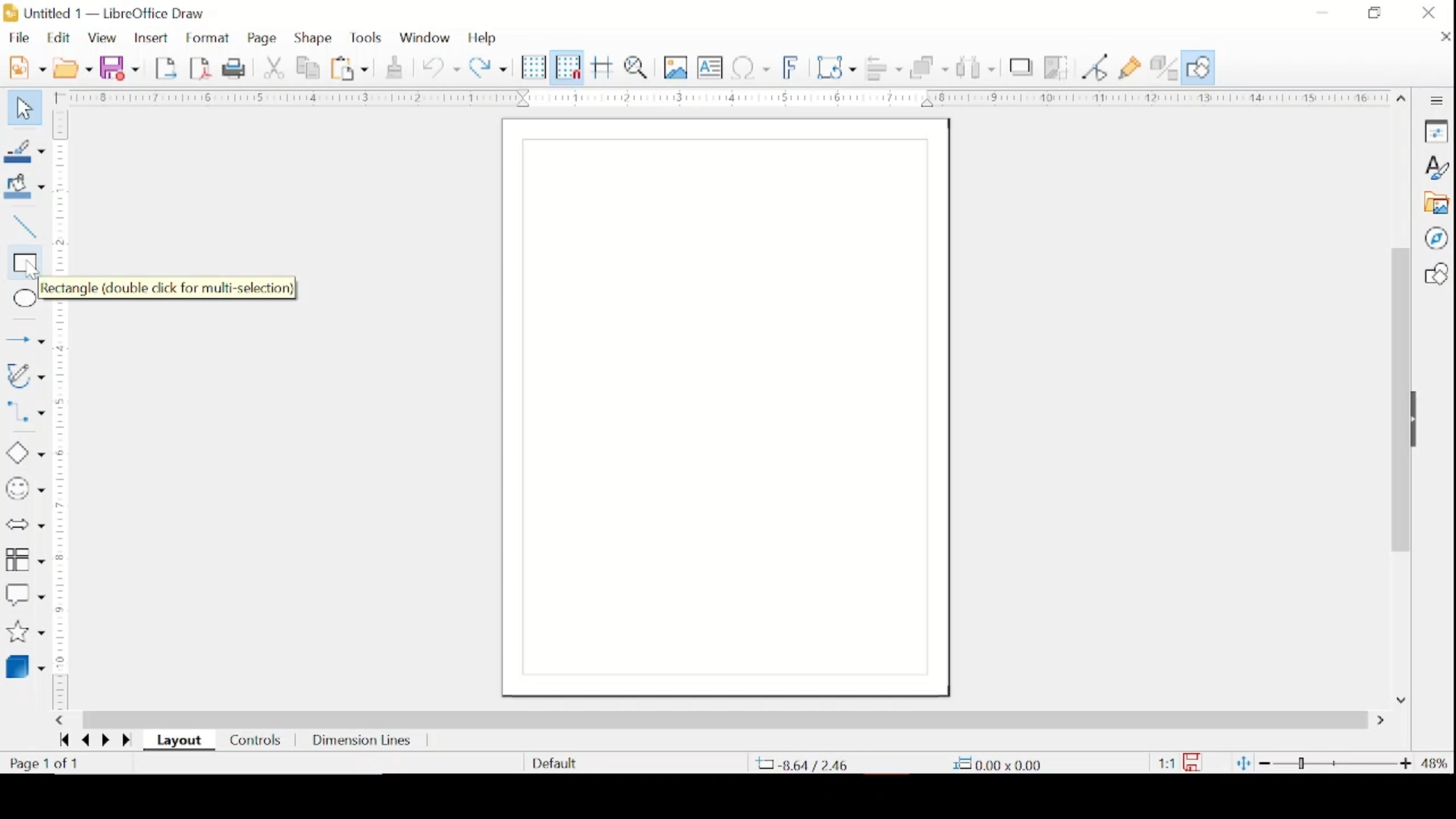 The height and width of the screenshot is (819, 1456). Describe the element at coordinates (1374, 12) in the screenshot. I see `restore down` at that location.